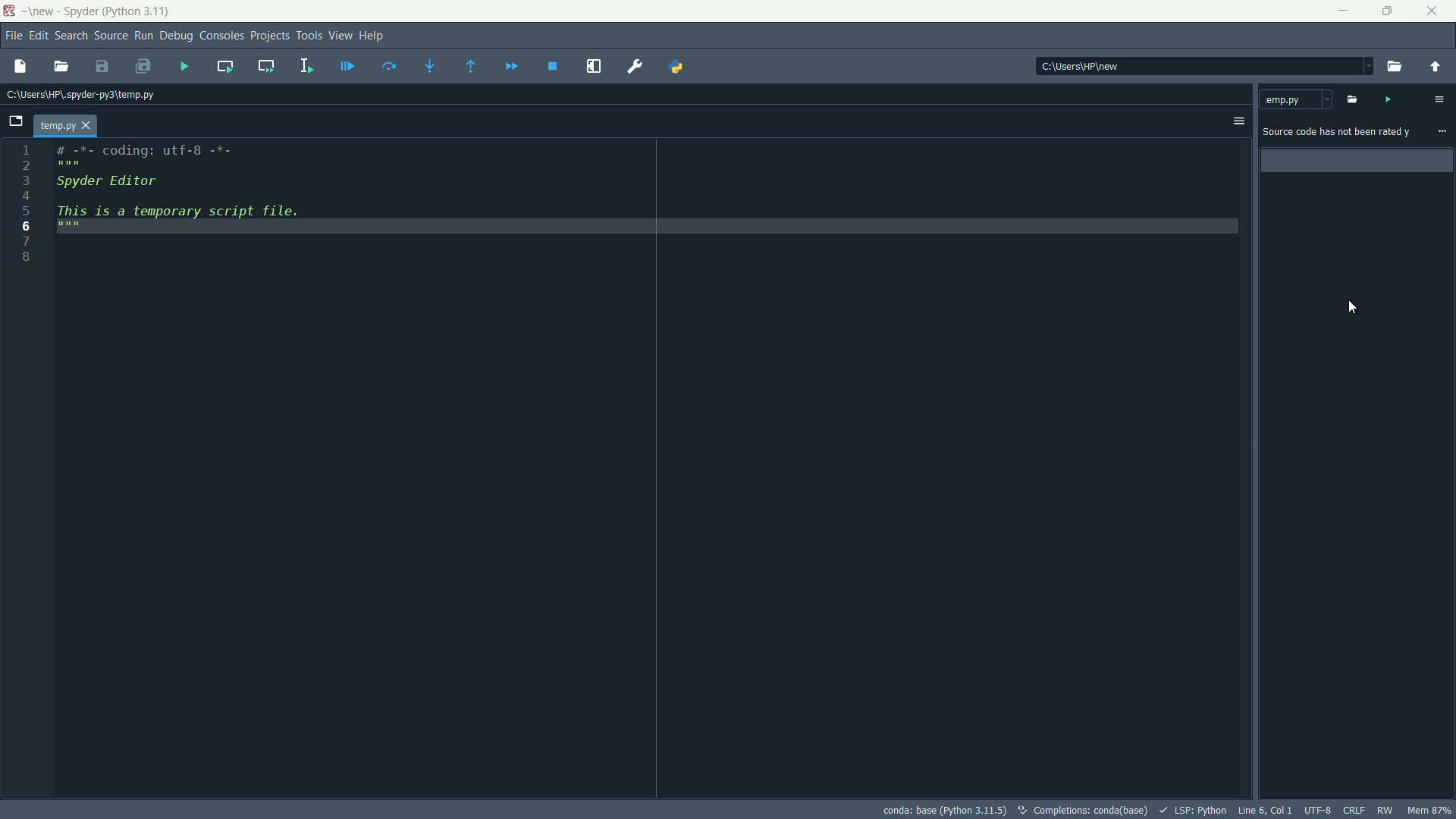  What do you see at coordinates (310, 36) in the screenshot?
I see `tools menu` at bounding box center [310, 36].